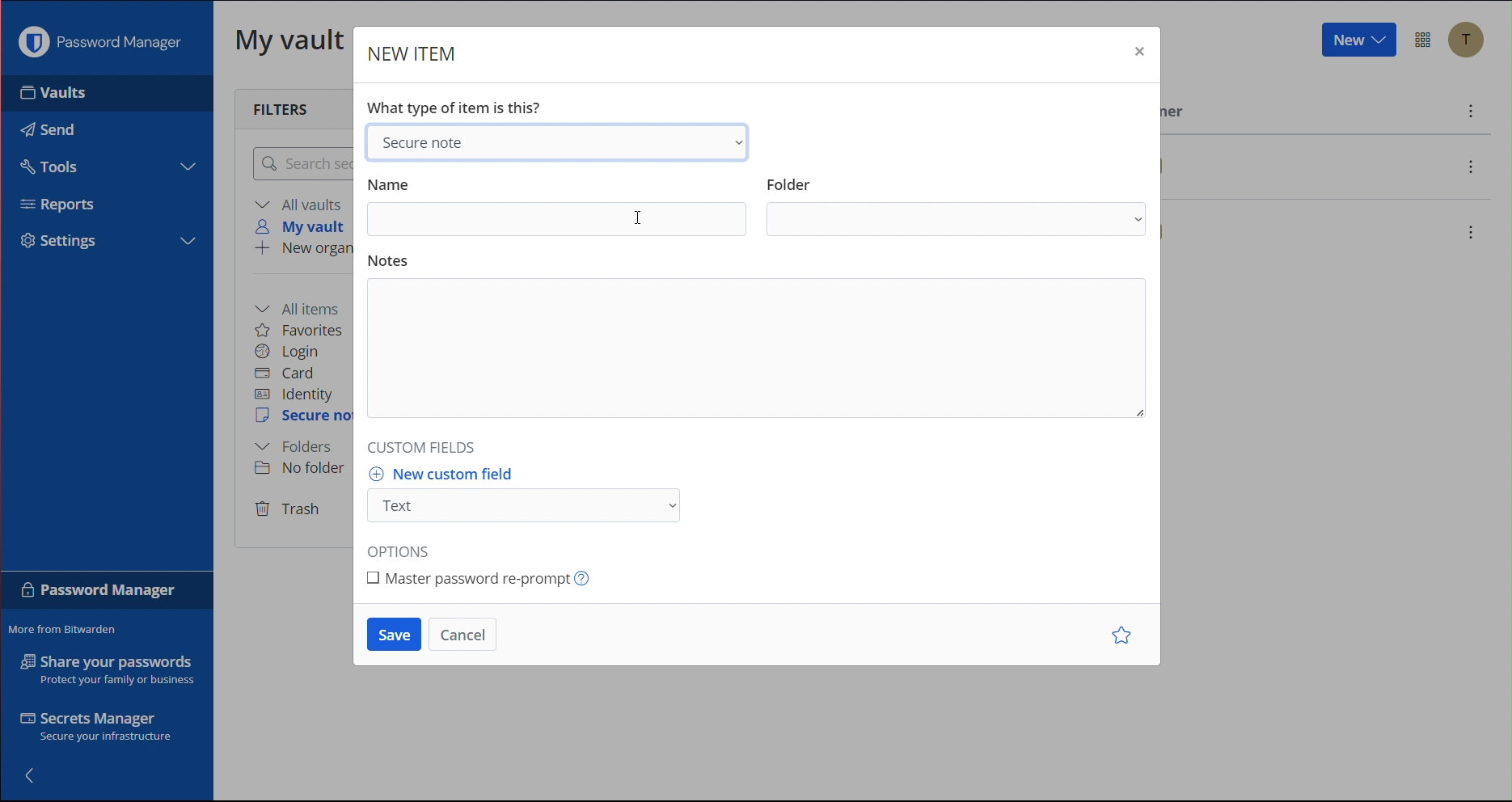 This screenshot has height=802, width=1512. Describe the element at coordinates (303, 165) in the screenshot. I see `Search Bar` at that location.